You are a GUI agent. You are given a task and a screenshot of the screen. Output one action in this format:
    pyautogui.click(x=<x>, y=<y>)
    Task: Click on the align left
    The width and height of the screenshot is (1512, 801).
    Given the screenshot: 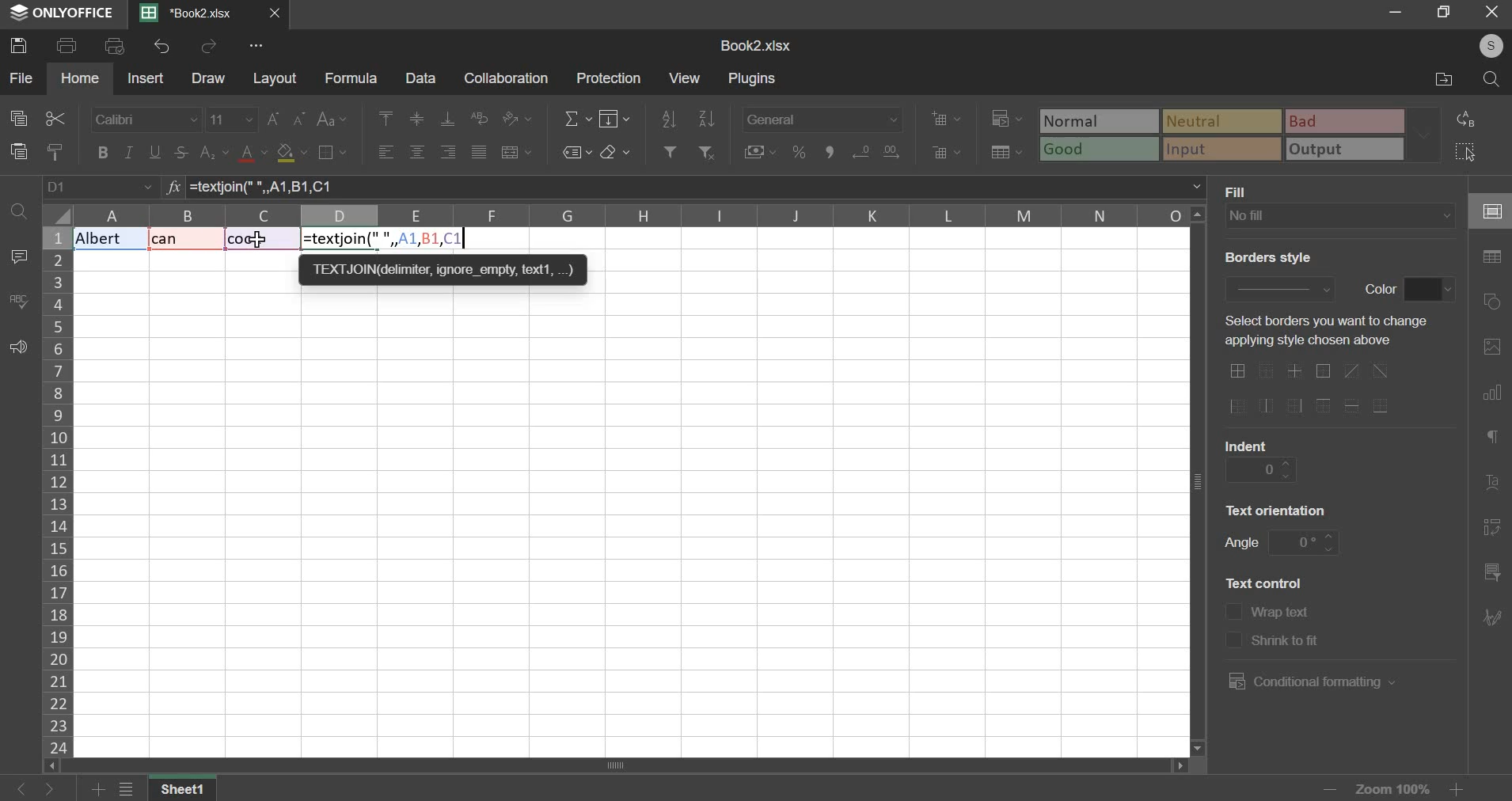 What is the action you would take?
    pyautogui.click(x=386, y=154)
    